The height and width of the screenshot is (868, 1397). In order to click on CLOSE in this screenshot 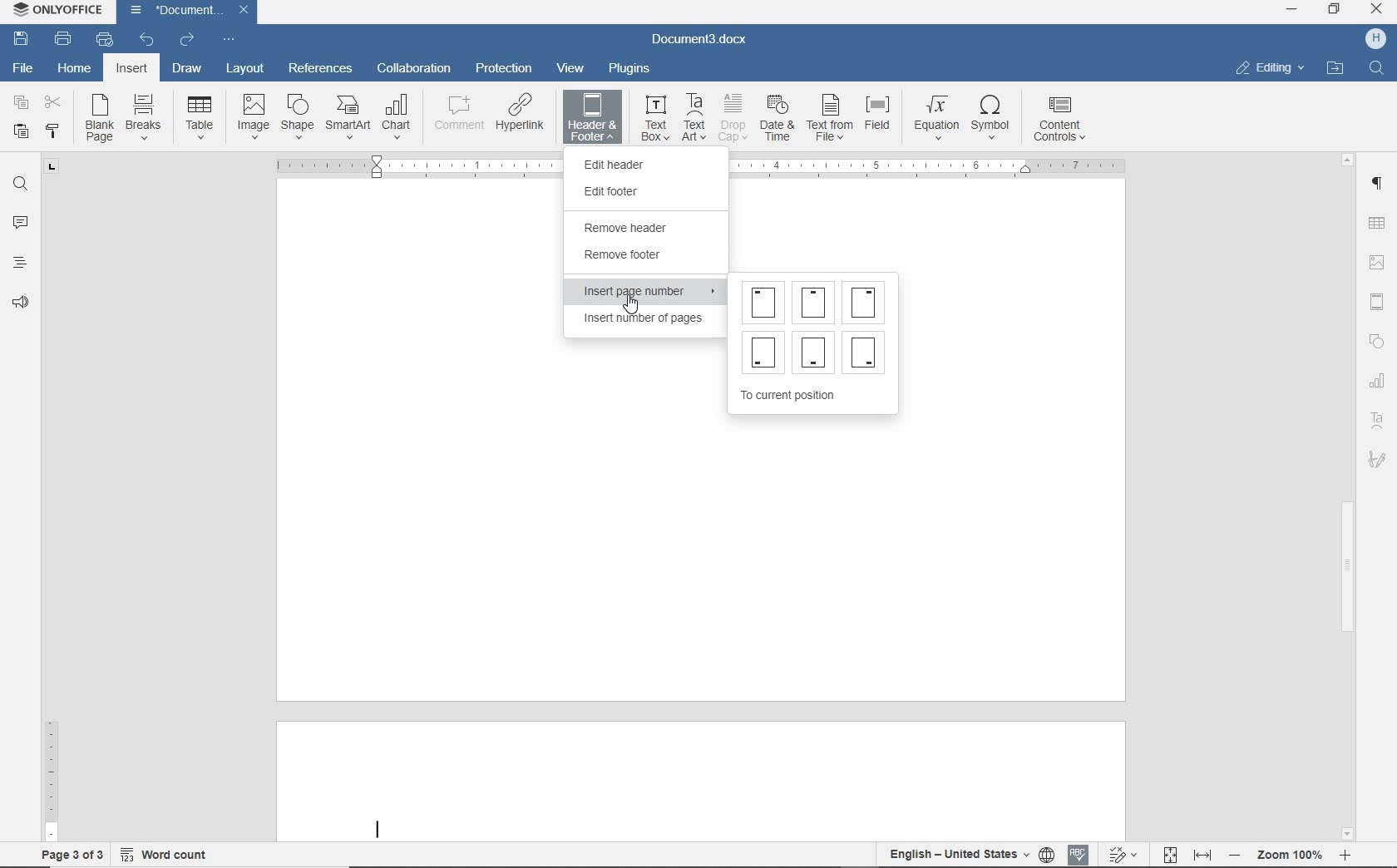, I will do `click(1377, 12)`.